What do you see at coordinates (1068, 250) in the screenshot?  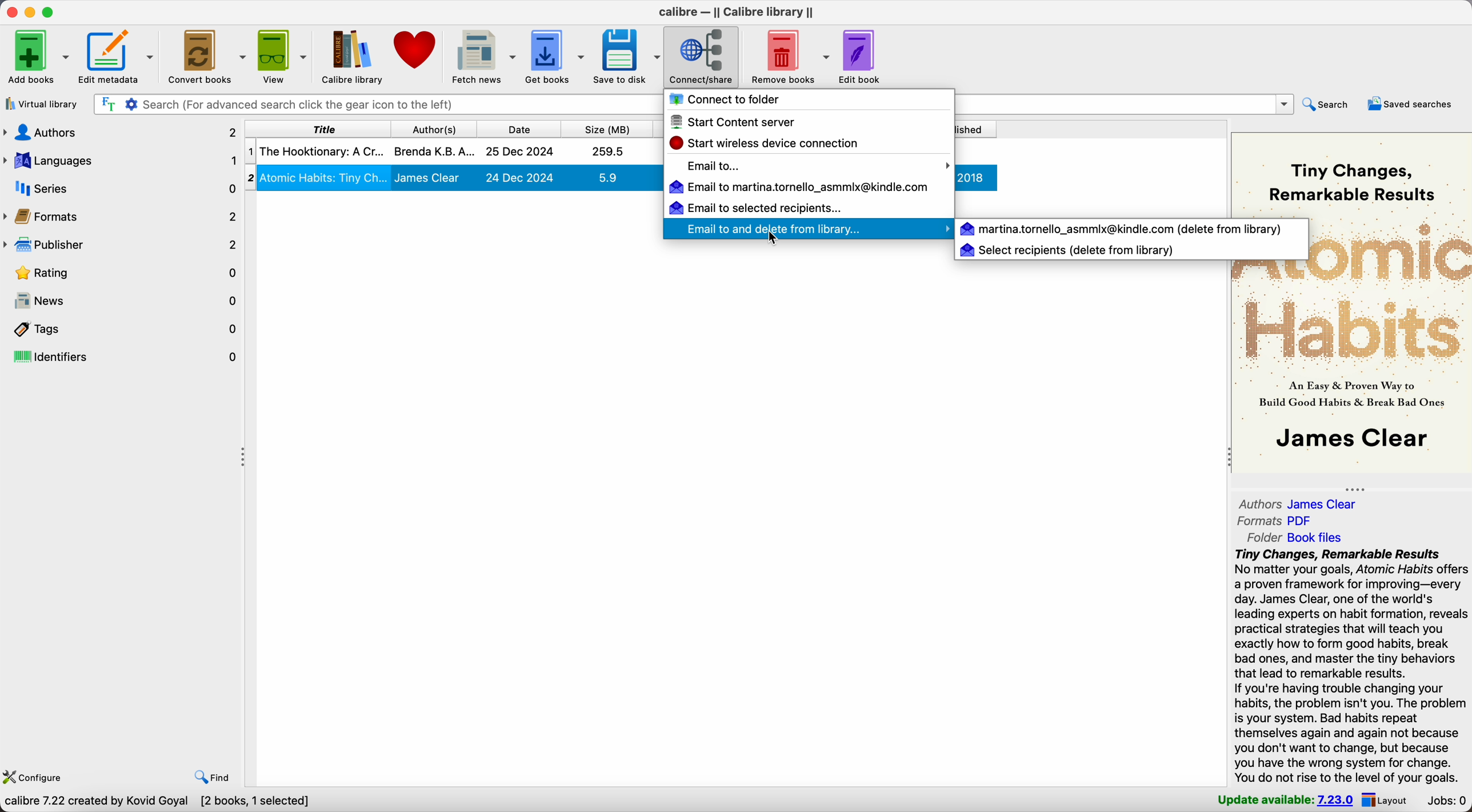 I see `selected recipients (deleted from library)` at bounding box center [1068, 250].